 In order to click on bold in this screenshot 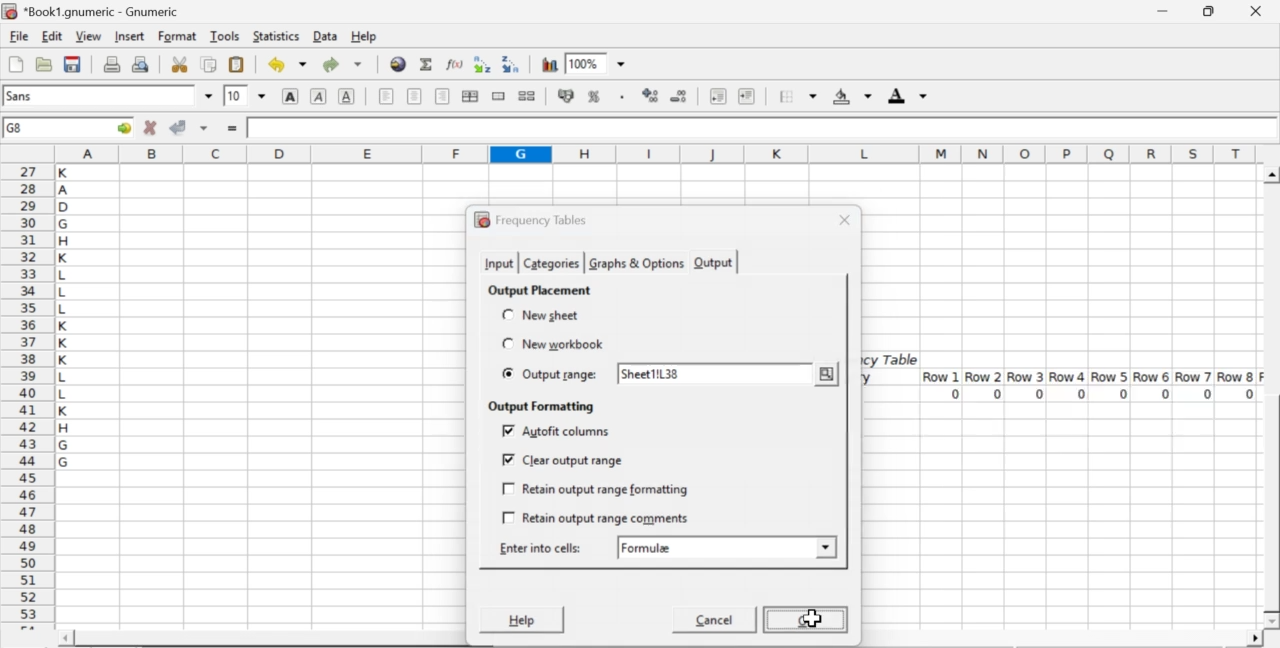, I will do `click(291, 95)`.